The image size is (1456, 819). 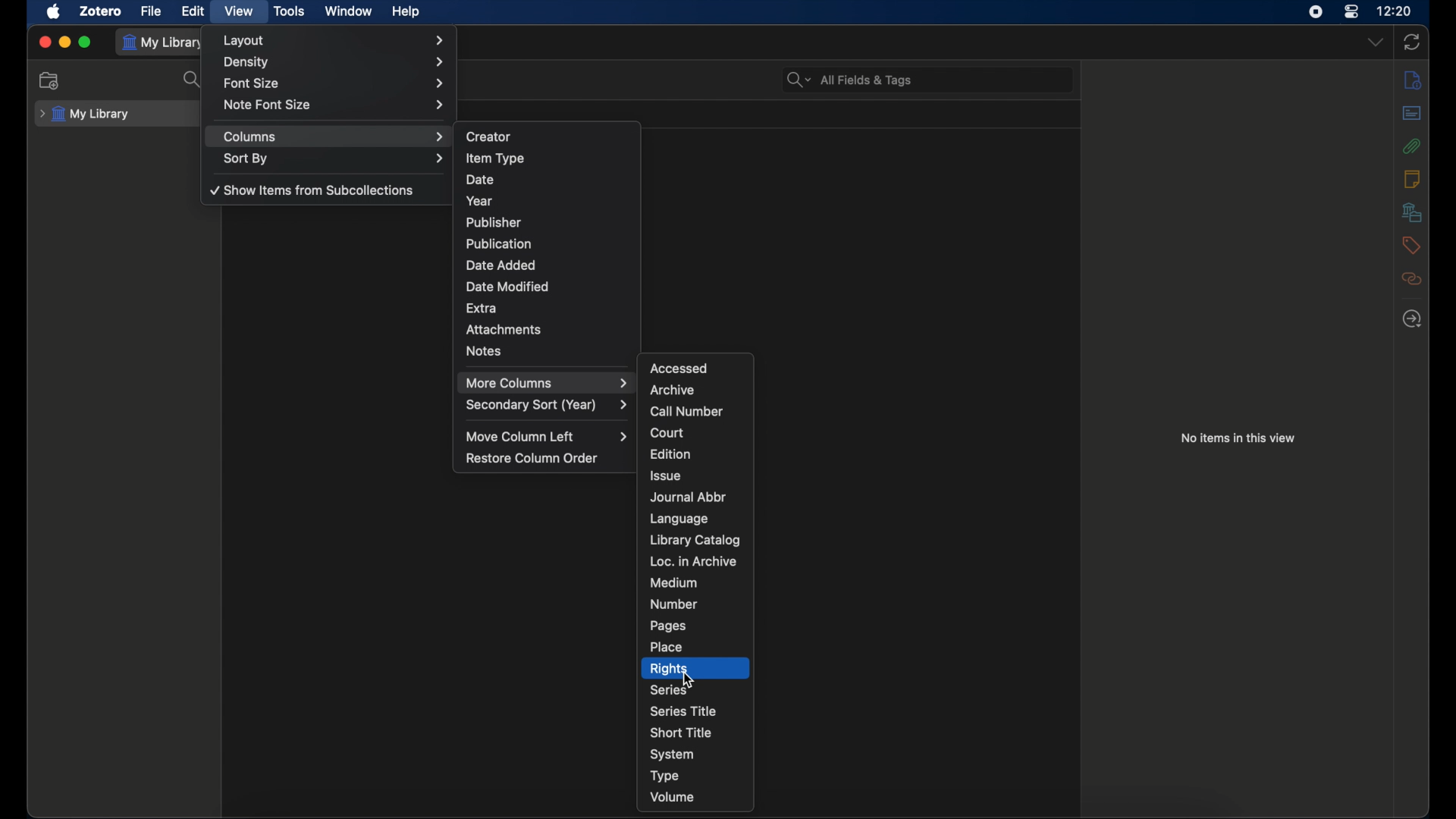 What do you see at coordinates (1238, 438) in the screenshot?
I see `no items in this view` at bounding box center [1238, 438].